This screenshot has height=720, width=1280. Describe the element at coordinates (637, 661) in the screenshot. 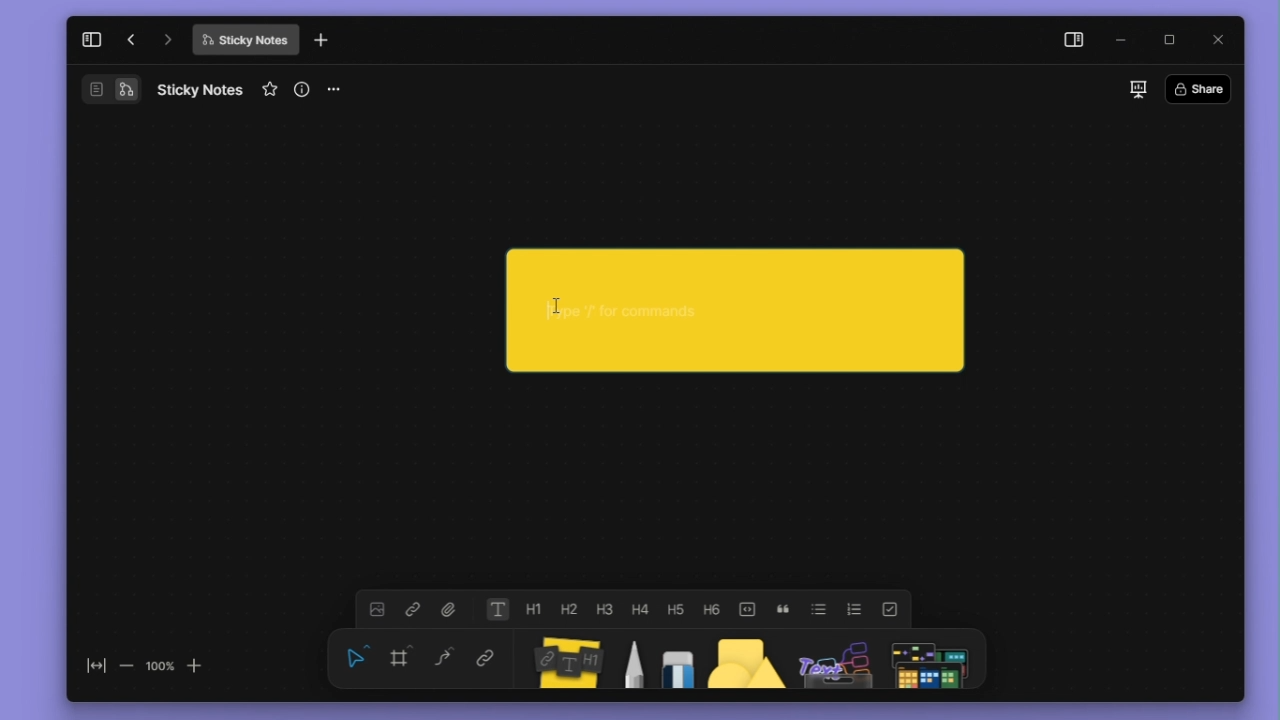

I see `pen` at that location.